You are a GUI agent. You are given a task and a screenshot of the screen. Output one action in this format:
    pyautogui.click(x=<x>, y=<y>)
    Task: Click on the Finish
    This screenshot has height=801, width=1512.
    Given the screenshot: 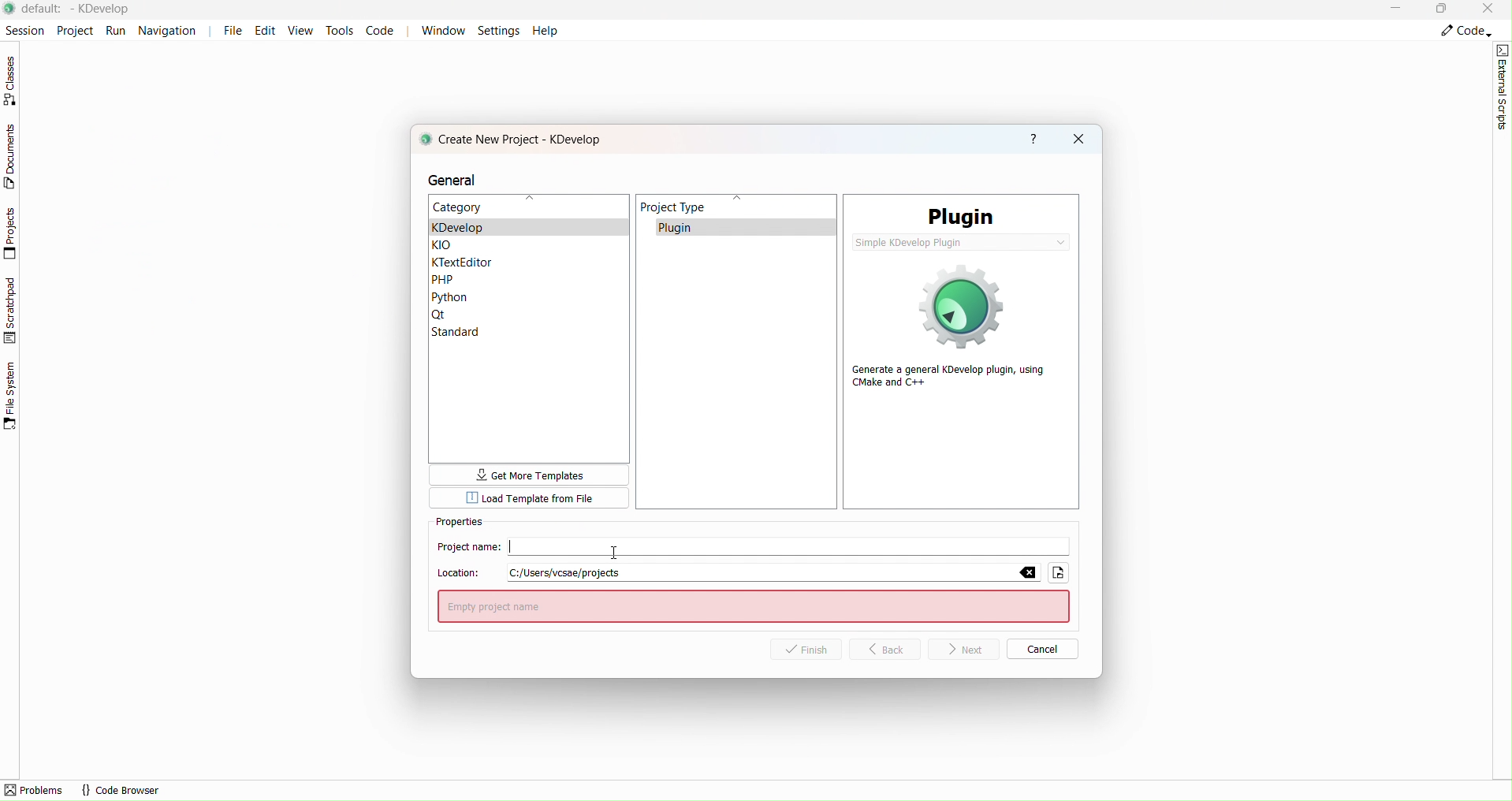 What is the action you would take?
    pyautogui.click(x=812, y=651)
    